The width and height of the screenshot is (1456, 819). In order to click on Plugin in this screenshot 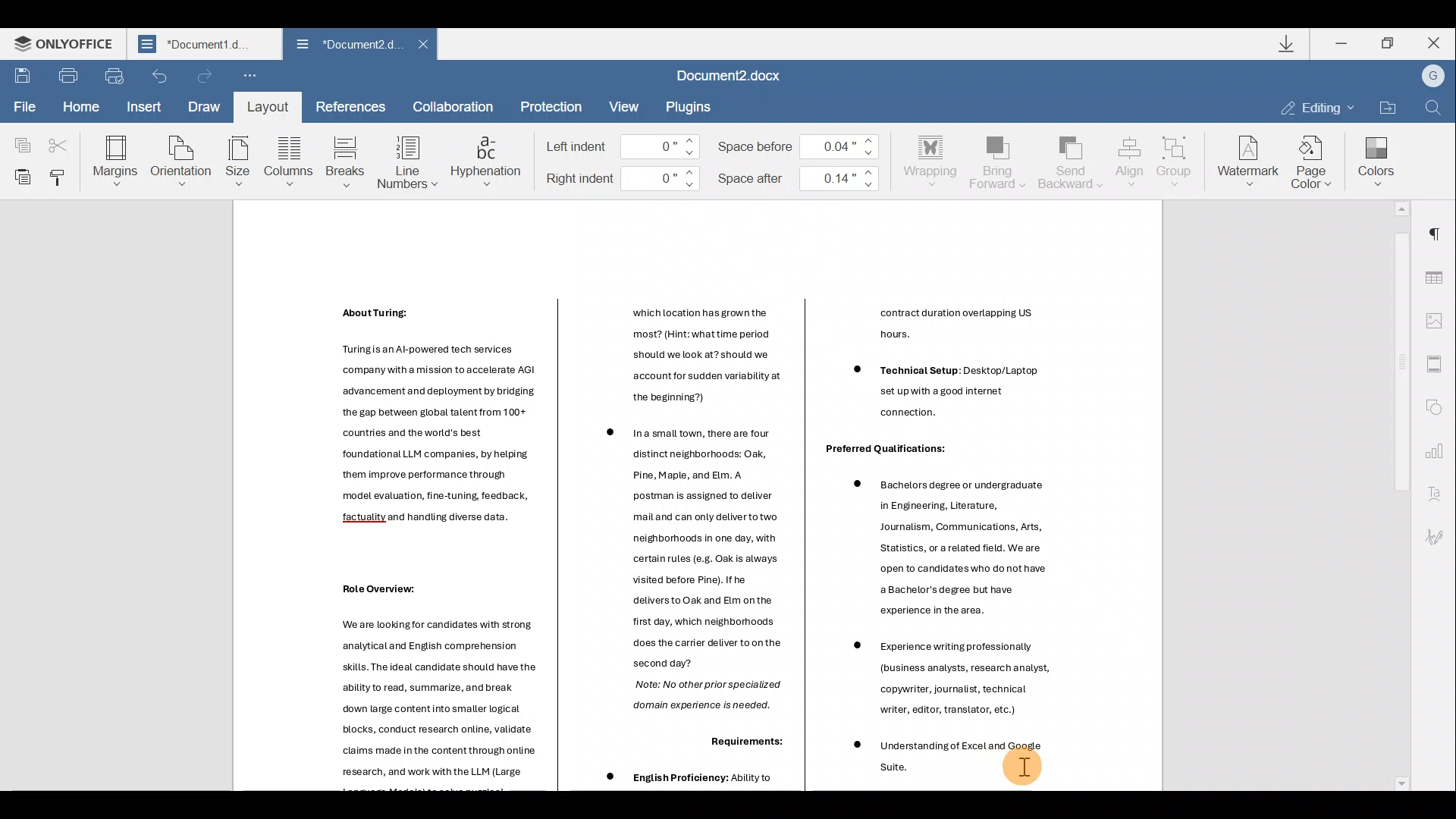, I will do `click(697, 106)`.